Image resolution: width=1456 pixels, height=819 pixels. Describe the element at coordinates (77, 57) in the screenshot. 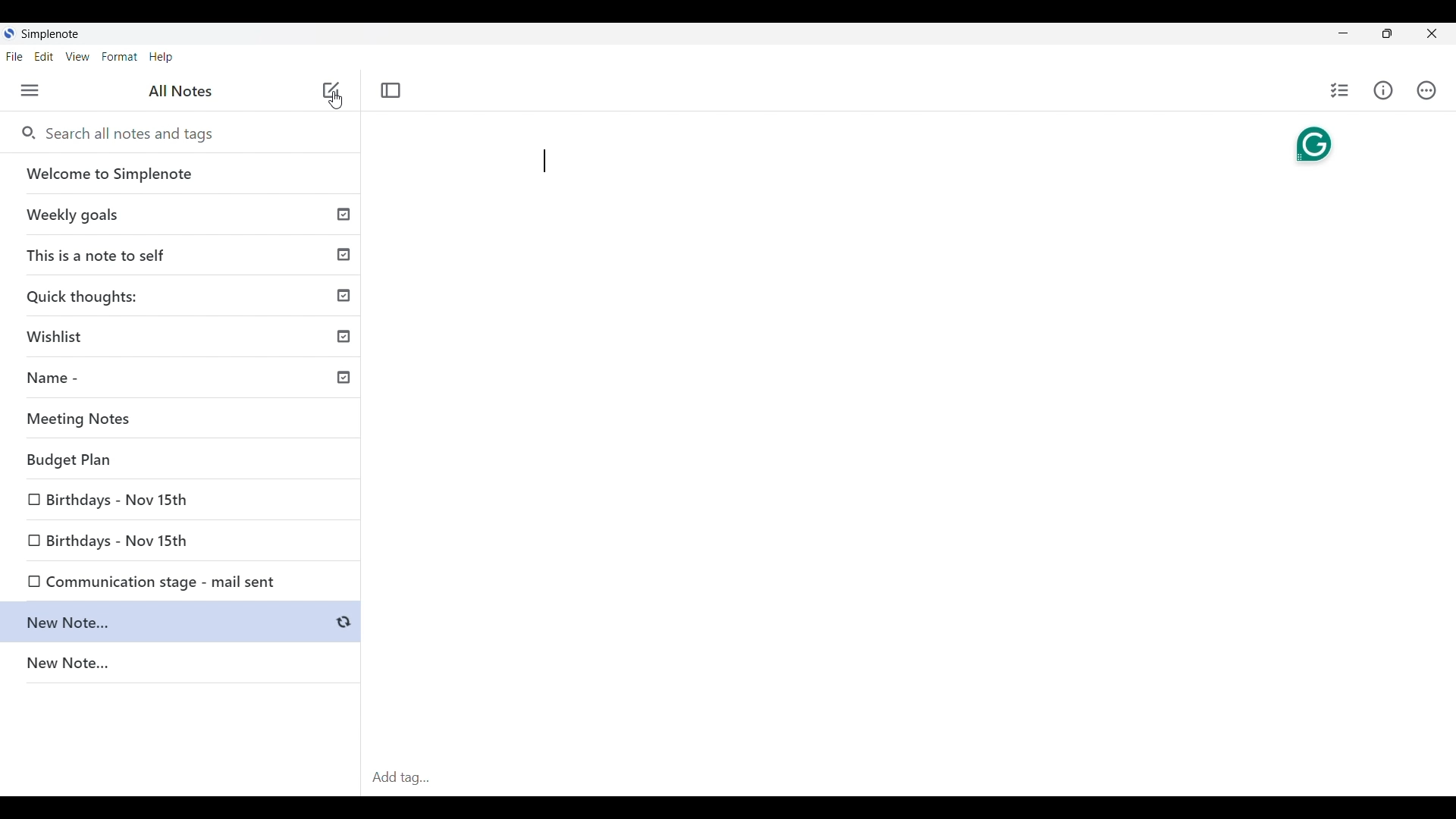

I see `View` at that location.